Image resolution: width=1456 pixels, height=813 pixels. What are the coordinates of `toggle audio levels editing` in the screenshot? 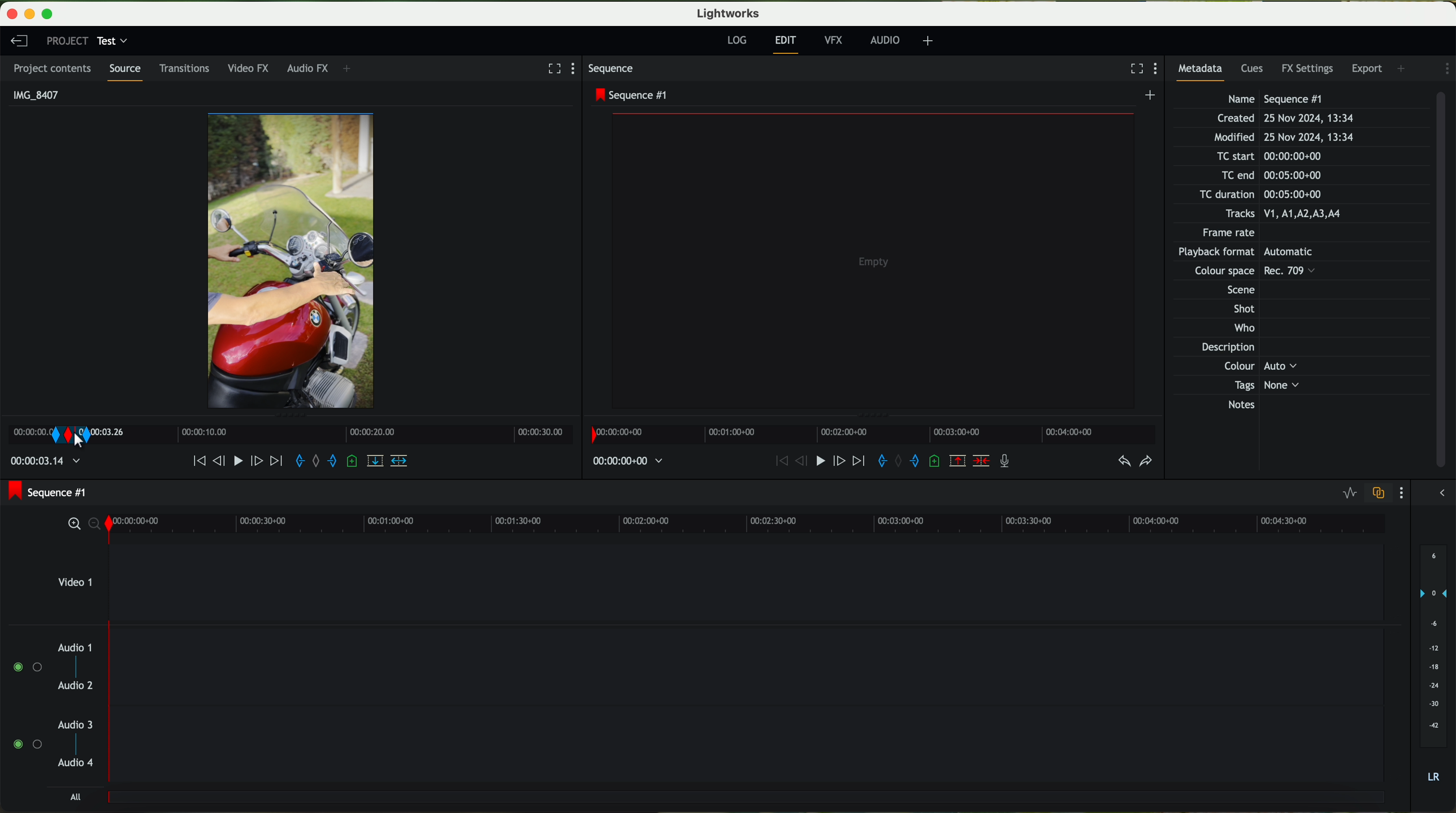 It's located at (1350, 494).